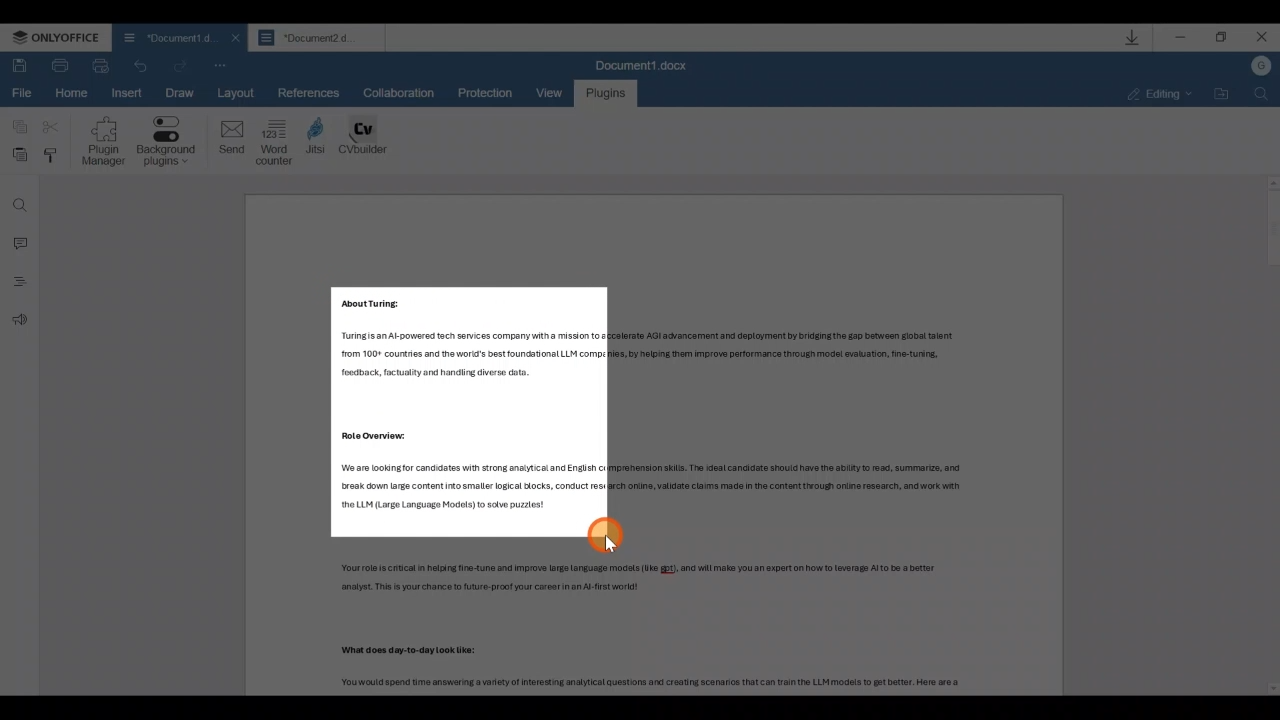  I want to click on Scroll bar, so click(1264, 439).